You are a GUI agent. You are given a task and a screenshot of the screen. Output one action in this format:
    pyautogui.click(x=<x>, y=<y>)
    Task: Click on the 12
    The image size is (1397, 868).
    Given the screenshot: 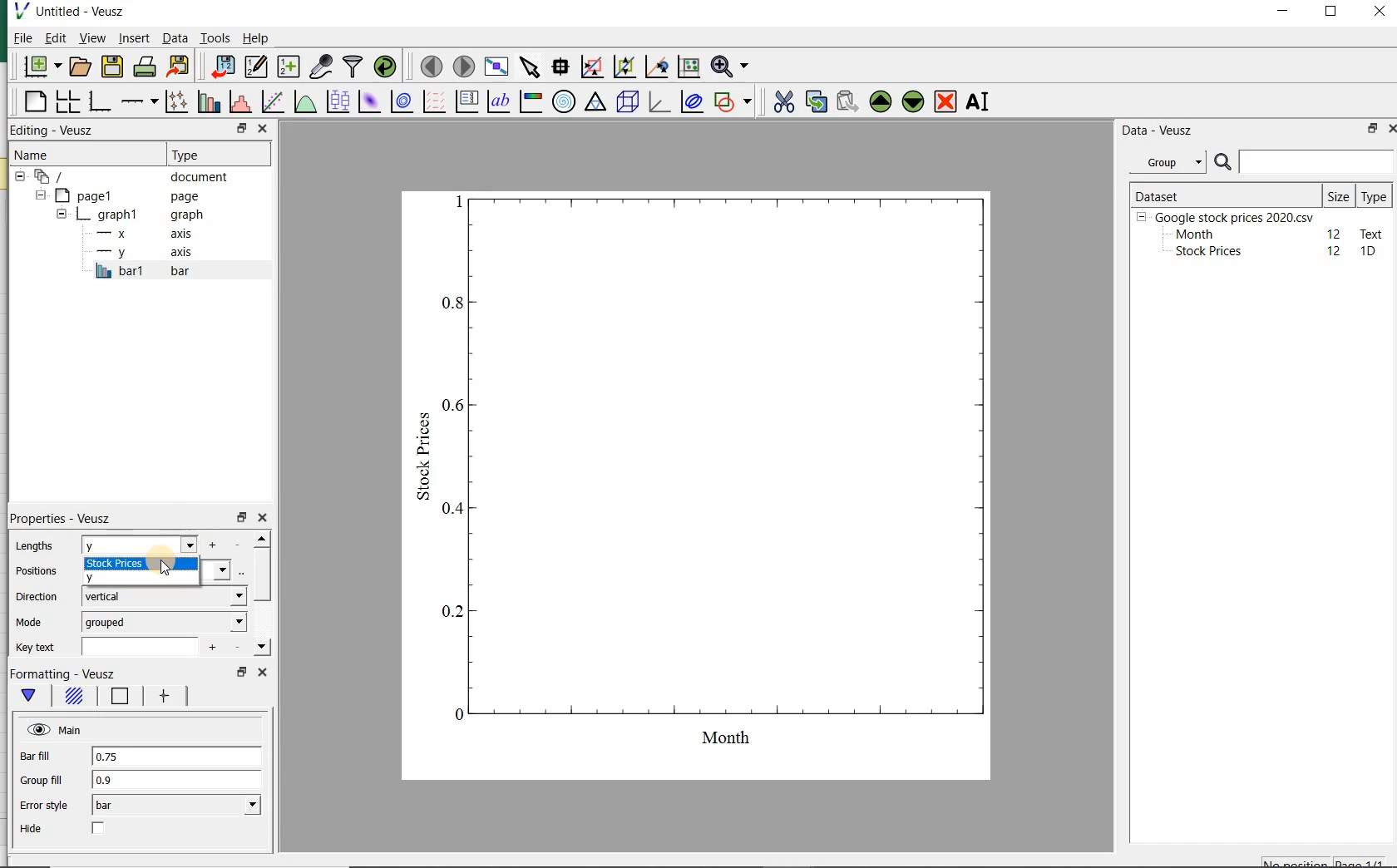 What is the action you would take?
    pyautogui.click(x=1335, y=233)
    